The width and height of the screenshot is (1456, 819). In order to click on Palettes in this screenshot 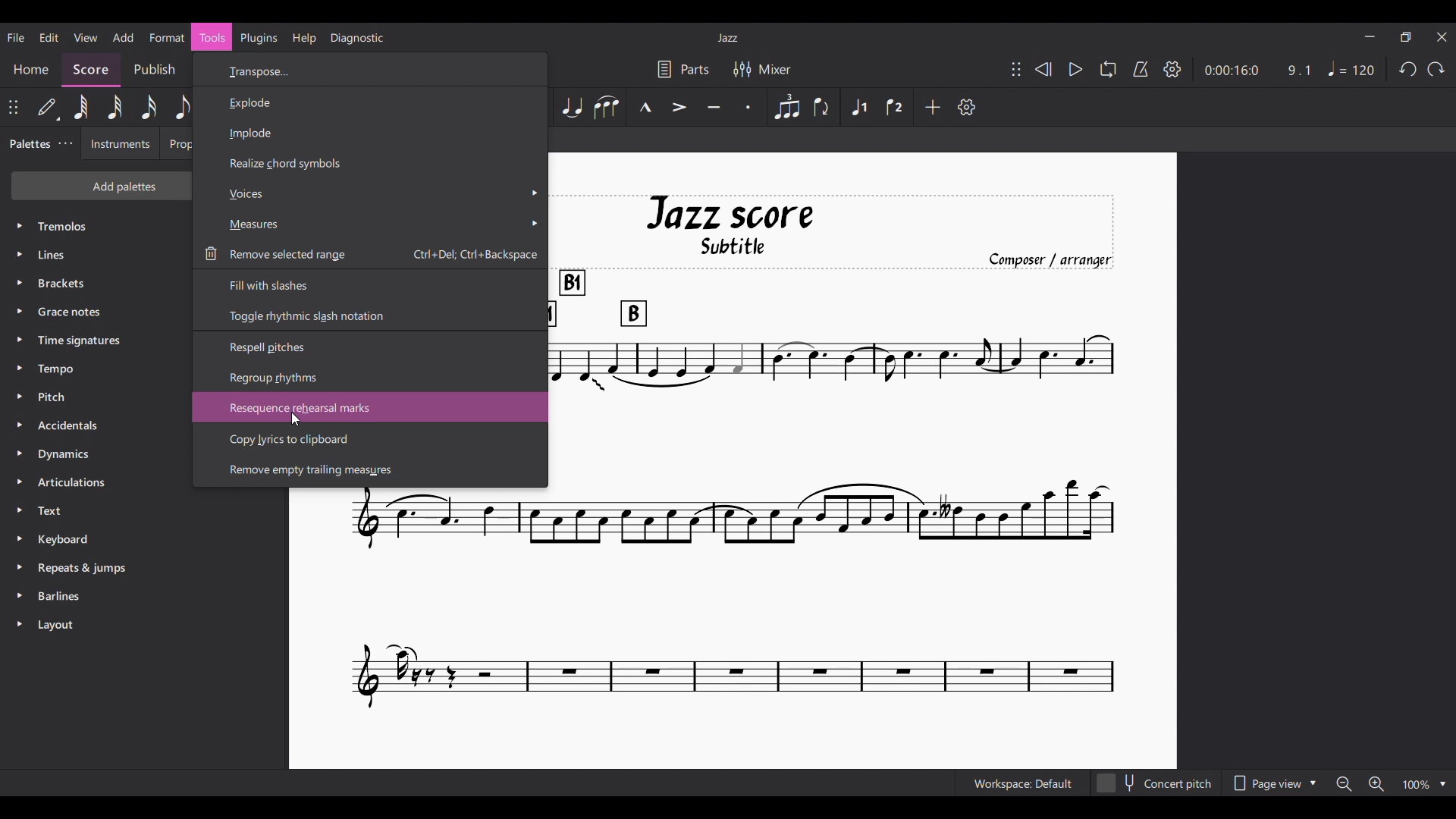, I will do `click(27, 144)`.